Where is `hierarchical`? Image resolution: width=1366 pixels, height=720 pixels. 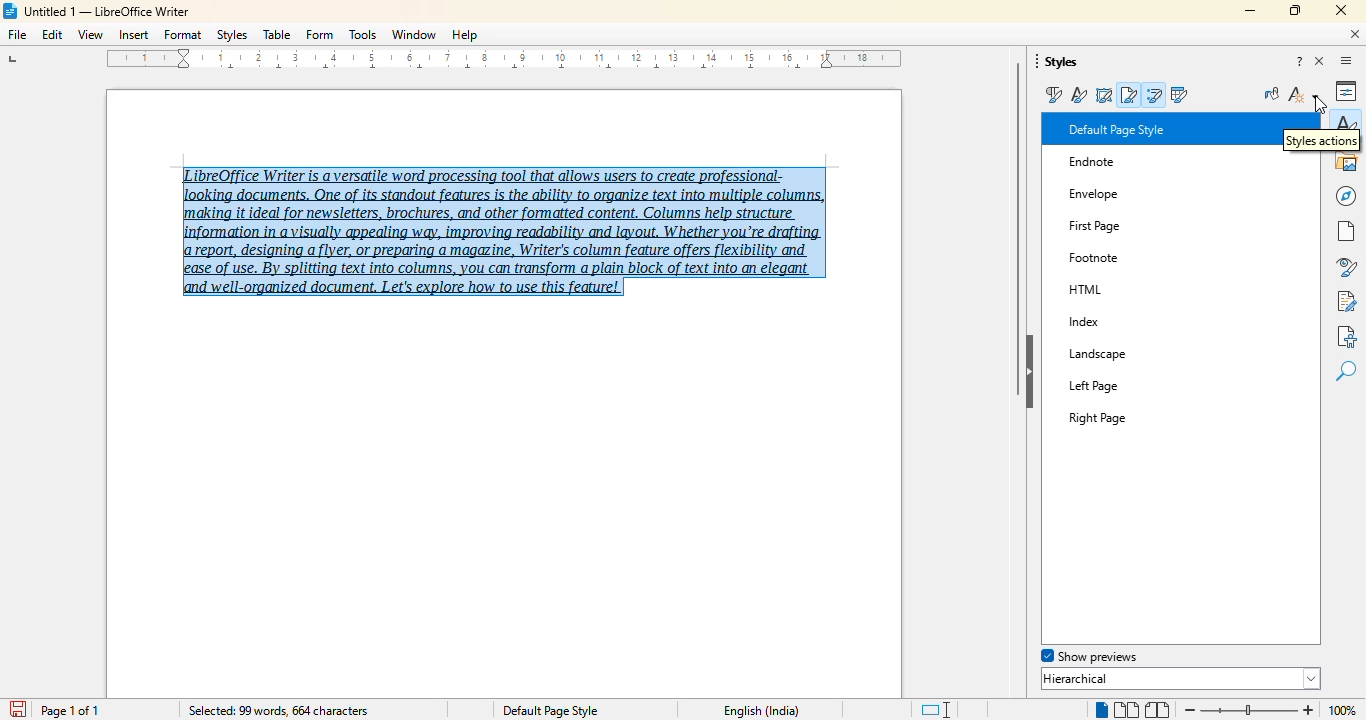 hierarchical is located at coordinates (1181, 678).